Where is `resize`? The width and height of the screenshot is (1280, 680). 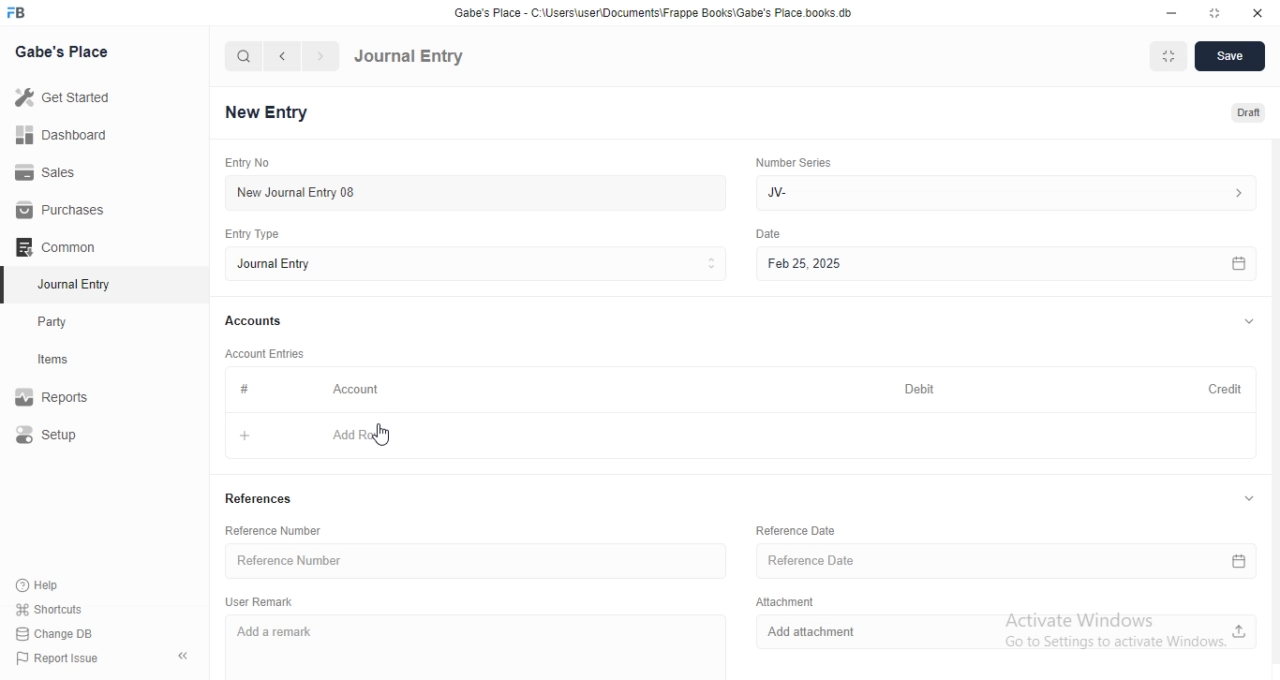
resize is located at coordinates (1211, 12).